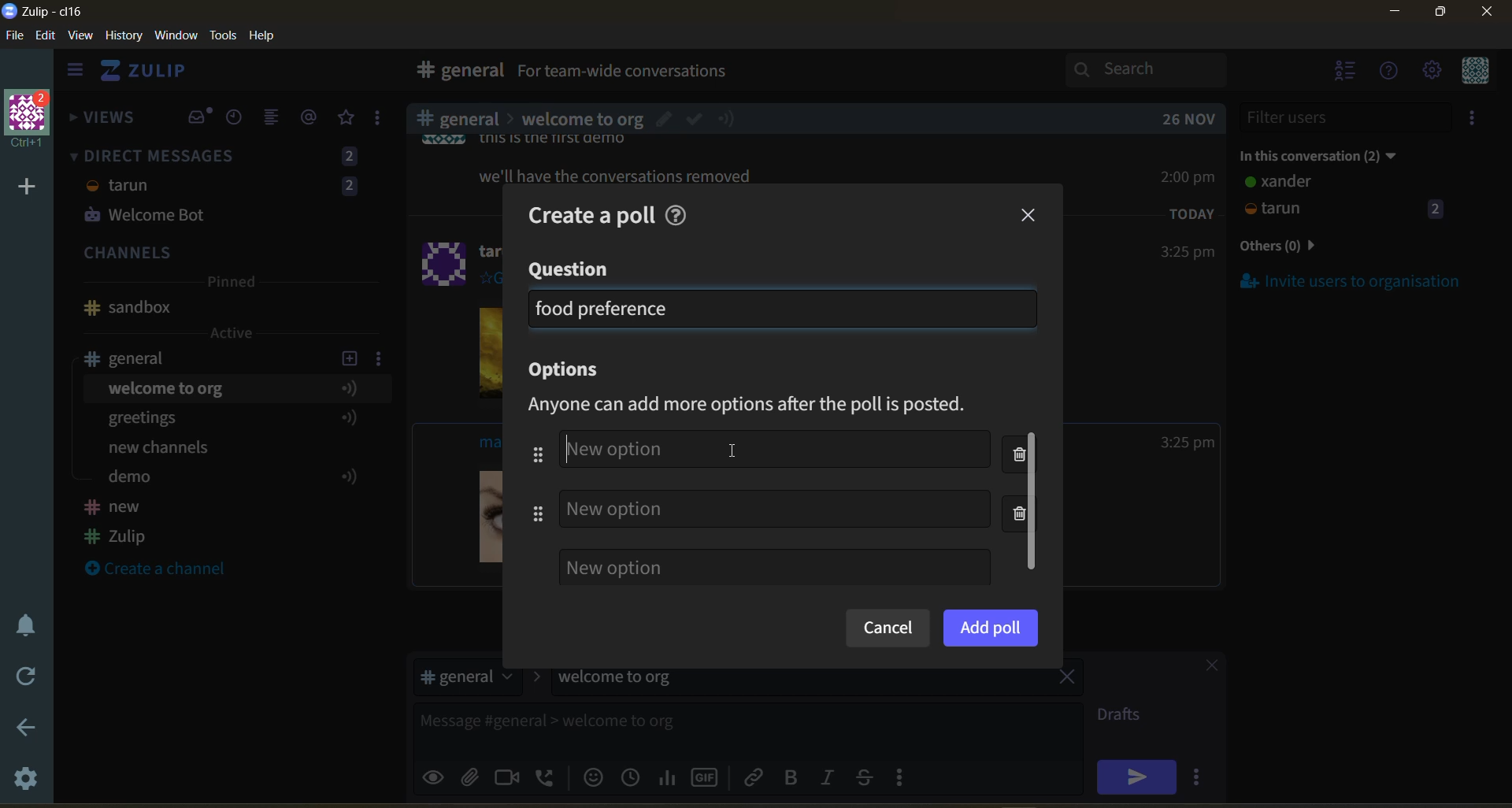  What do you see at coordinates (1186, 253) in the screenshot?
I see `3:25 pm` at bounding box center [1186, 253].